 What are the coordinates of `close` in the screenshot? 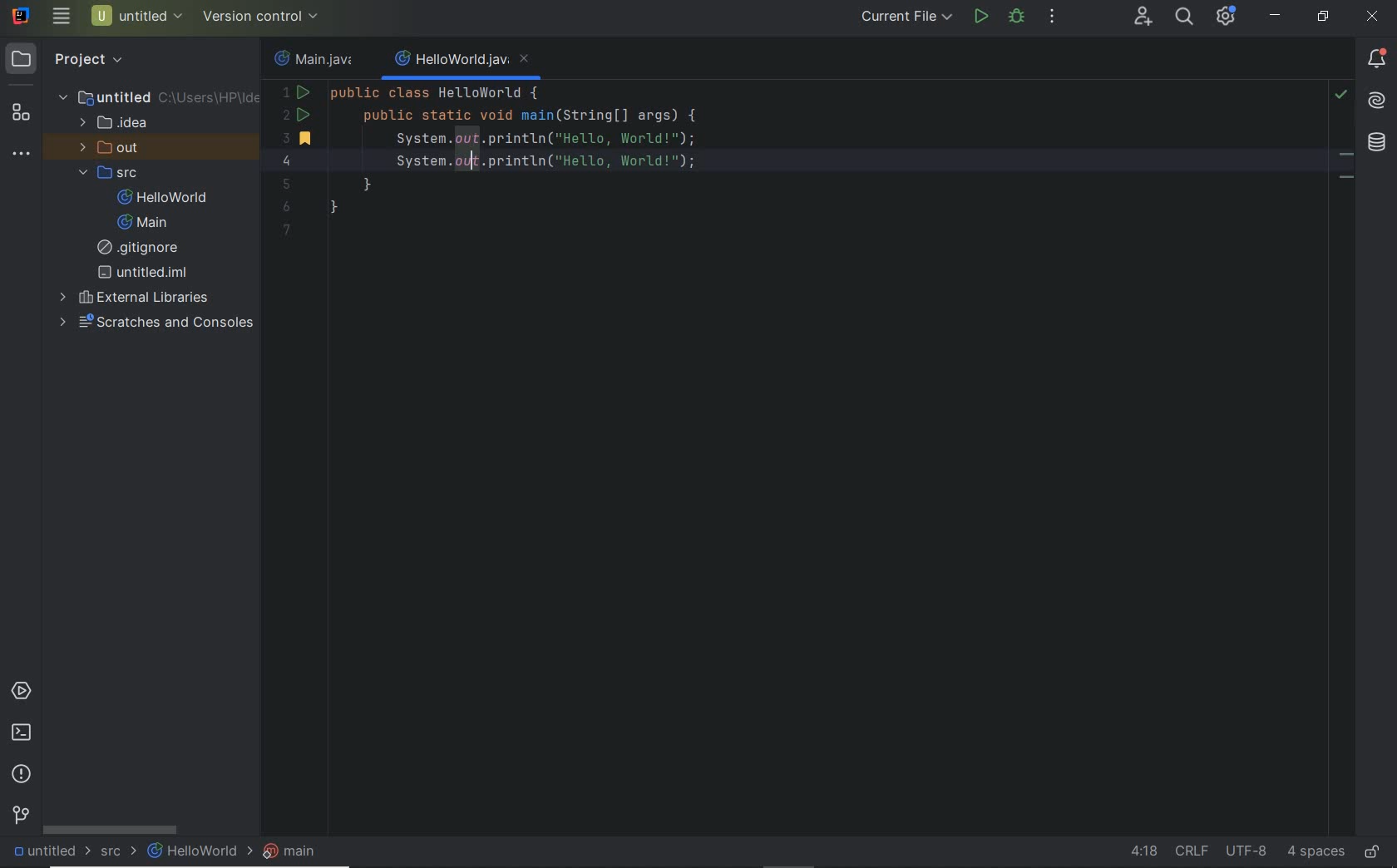 It's located at (1373, 17).